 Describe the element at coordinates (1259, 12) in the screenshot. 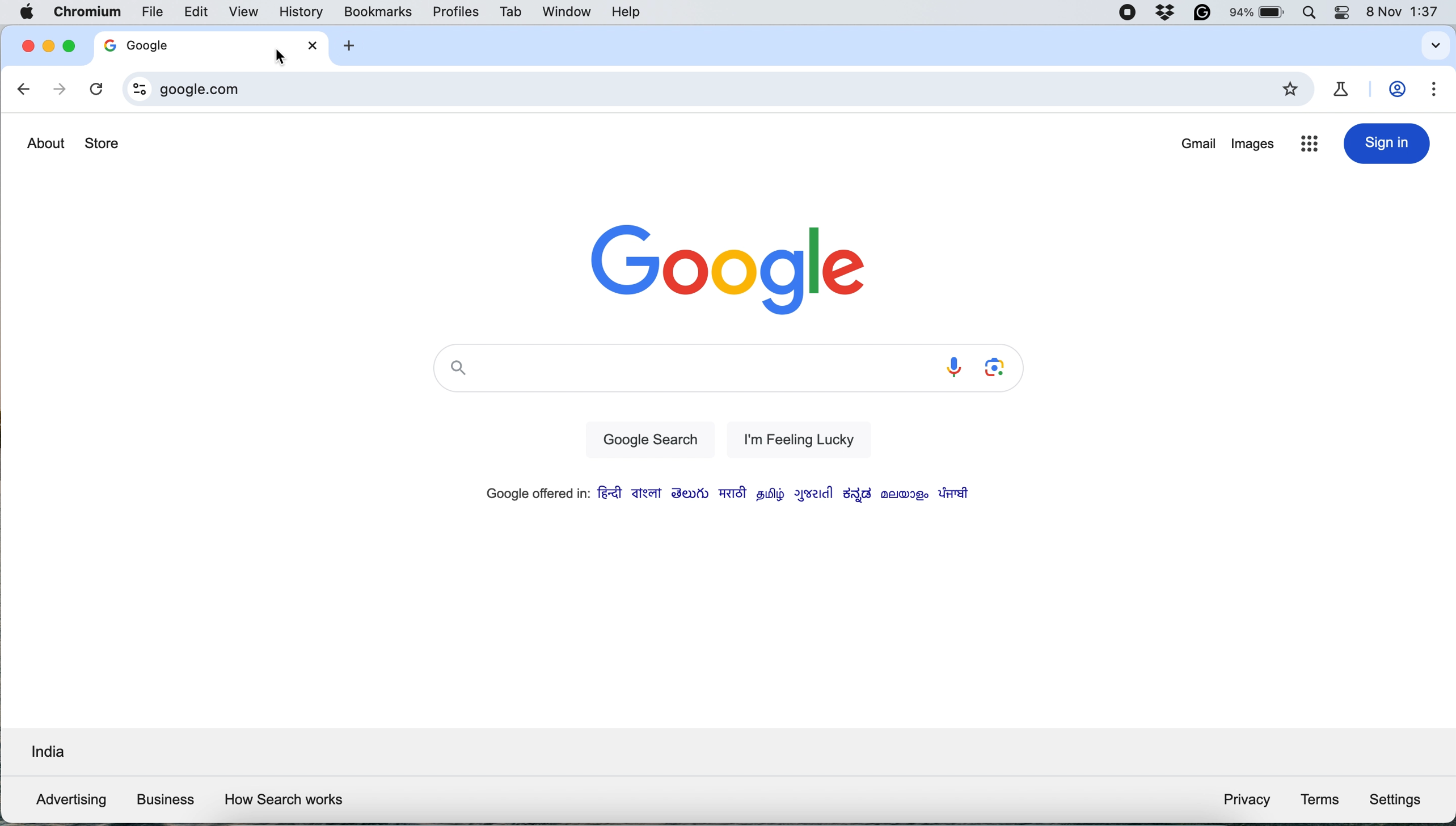

I see `battery` at that location.